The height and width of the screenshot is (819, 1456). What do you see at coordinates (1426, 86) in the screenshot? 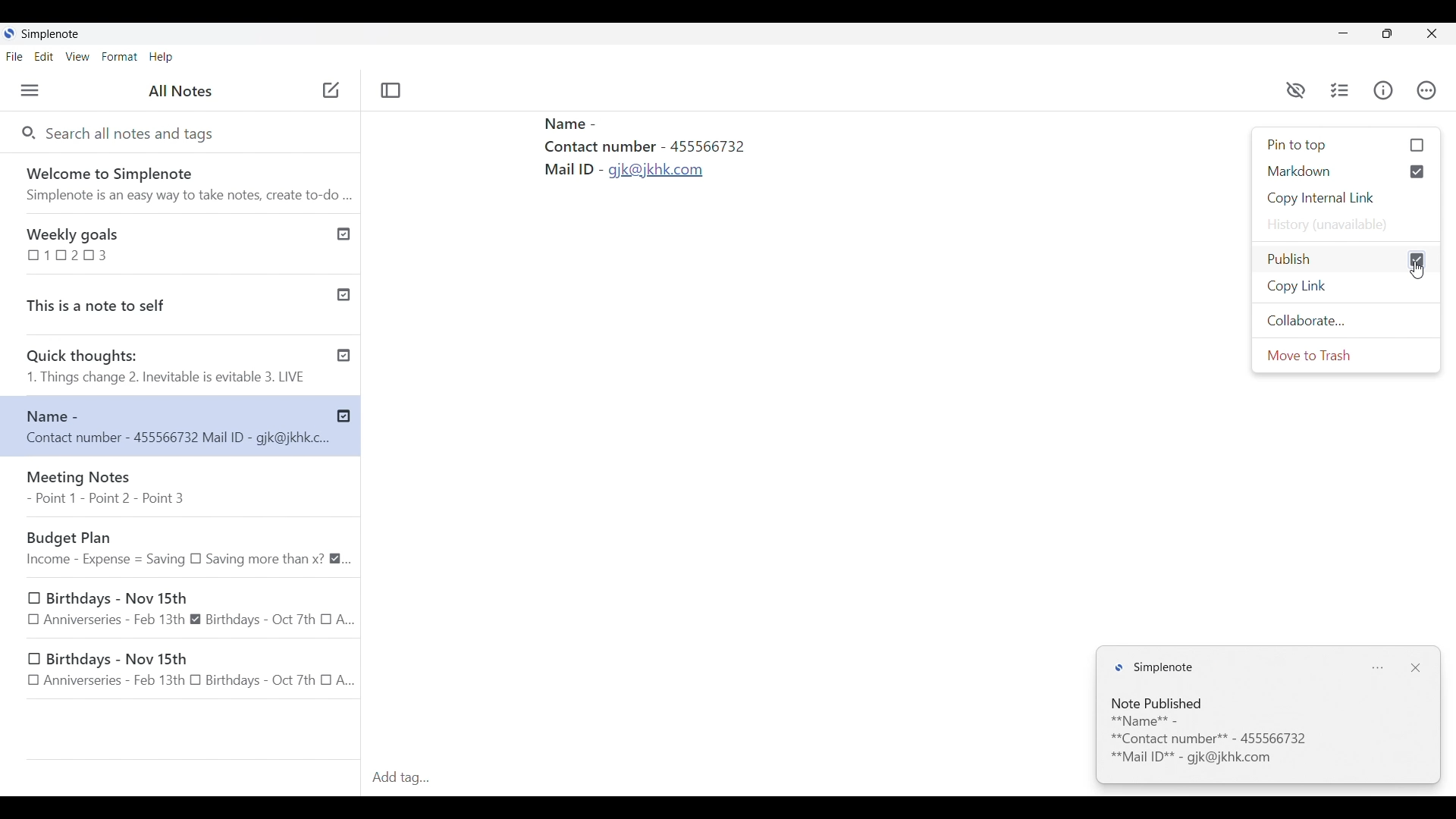
I see `Actions` at bounding box center [1426, 86].